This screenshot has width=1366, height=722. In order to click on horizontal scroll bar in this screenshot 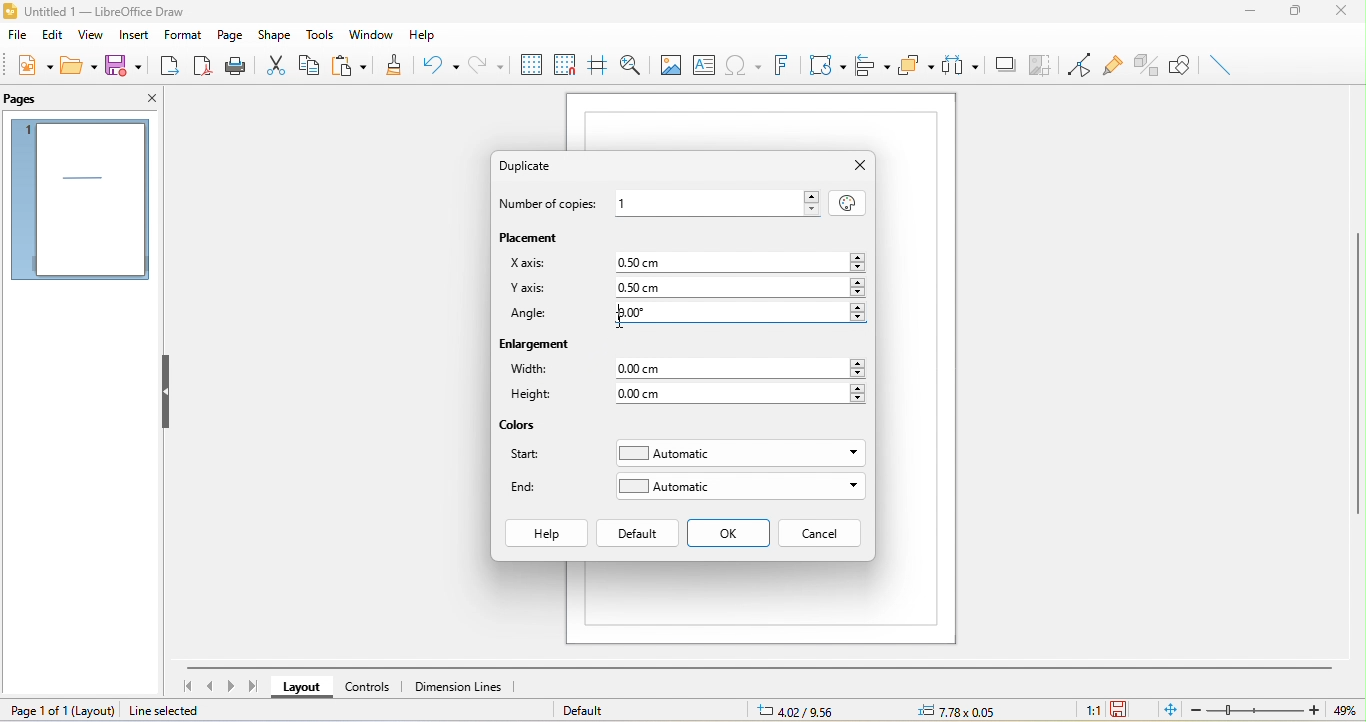, I will do `click(759, 666)`.